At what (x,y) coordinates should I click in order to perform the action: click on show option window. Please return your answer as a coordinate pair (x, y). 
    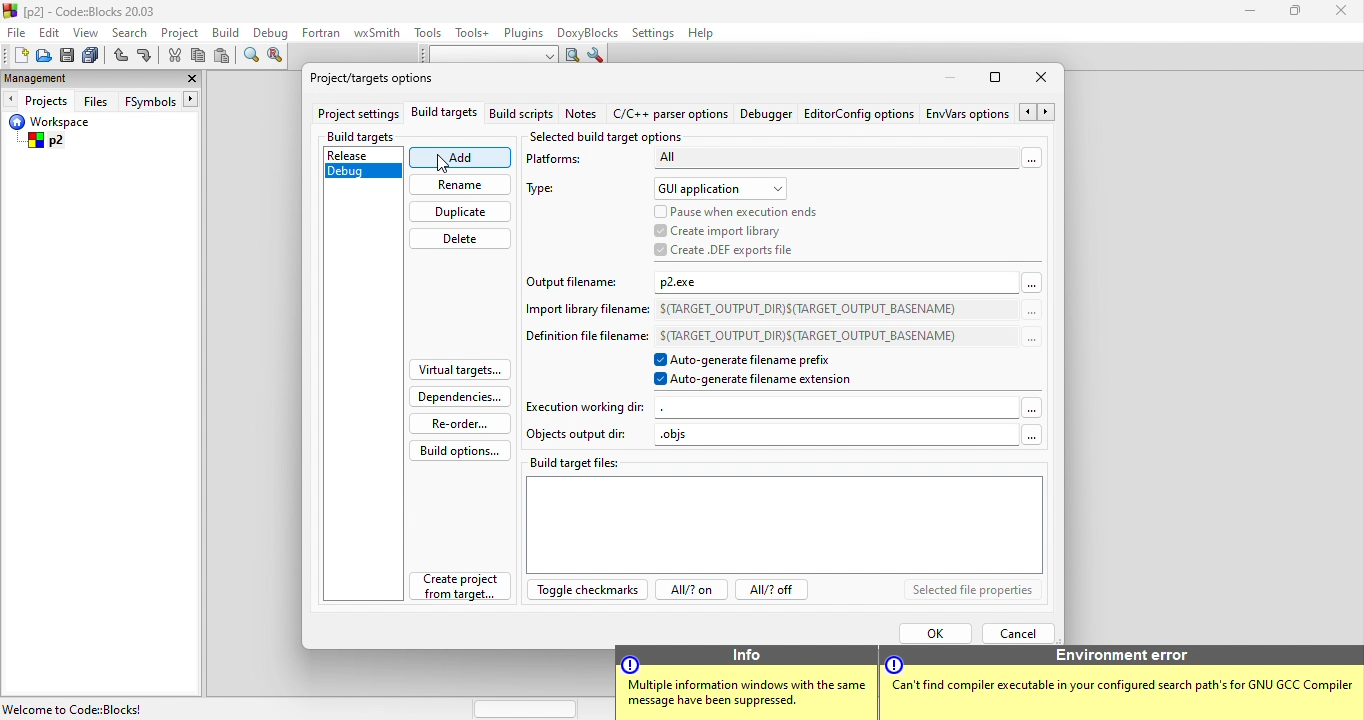
    Looking at the image, I should click on (598, 57).